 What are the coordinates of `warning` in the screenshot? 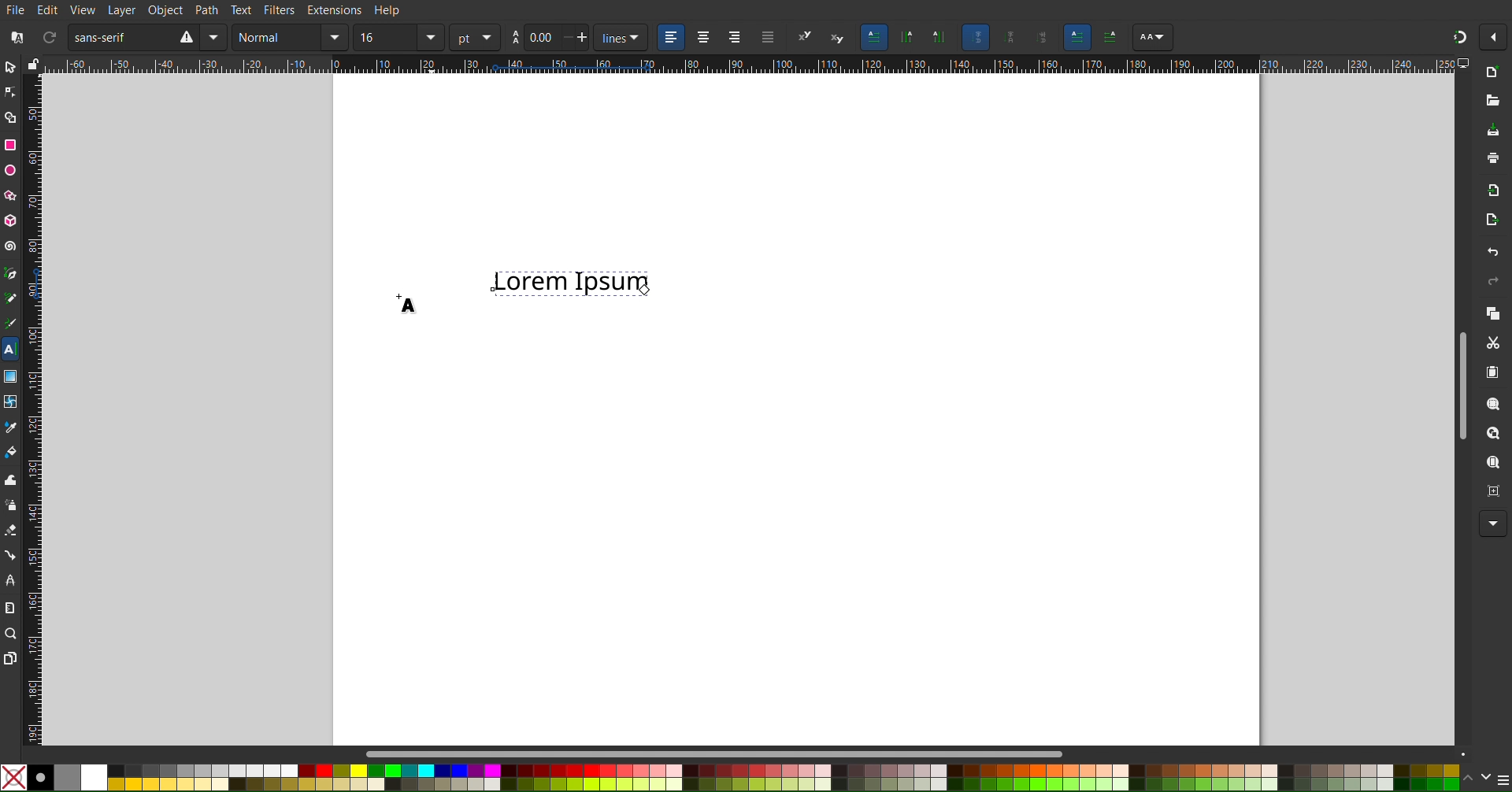 It's located at (185, 37).